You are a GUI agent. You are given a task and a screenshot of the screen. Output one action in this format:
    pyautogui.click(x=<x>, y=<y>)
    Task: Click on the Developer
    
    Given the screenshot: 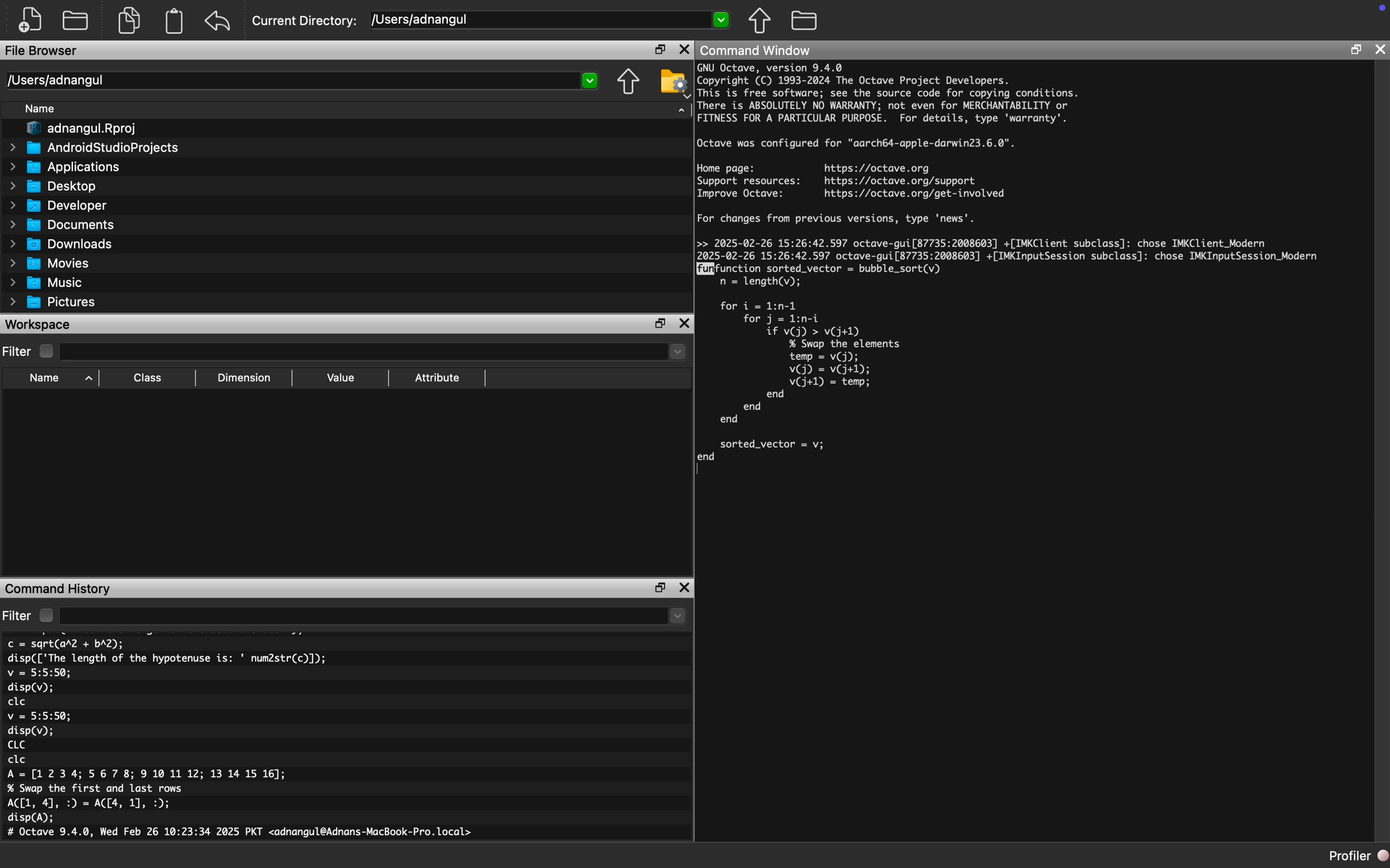 What is the action you would take?
    pyautogui.click(x=57, y=205)
    